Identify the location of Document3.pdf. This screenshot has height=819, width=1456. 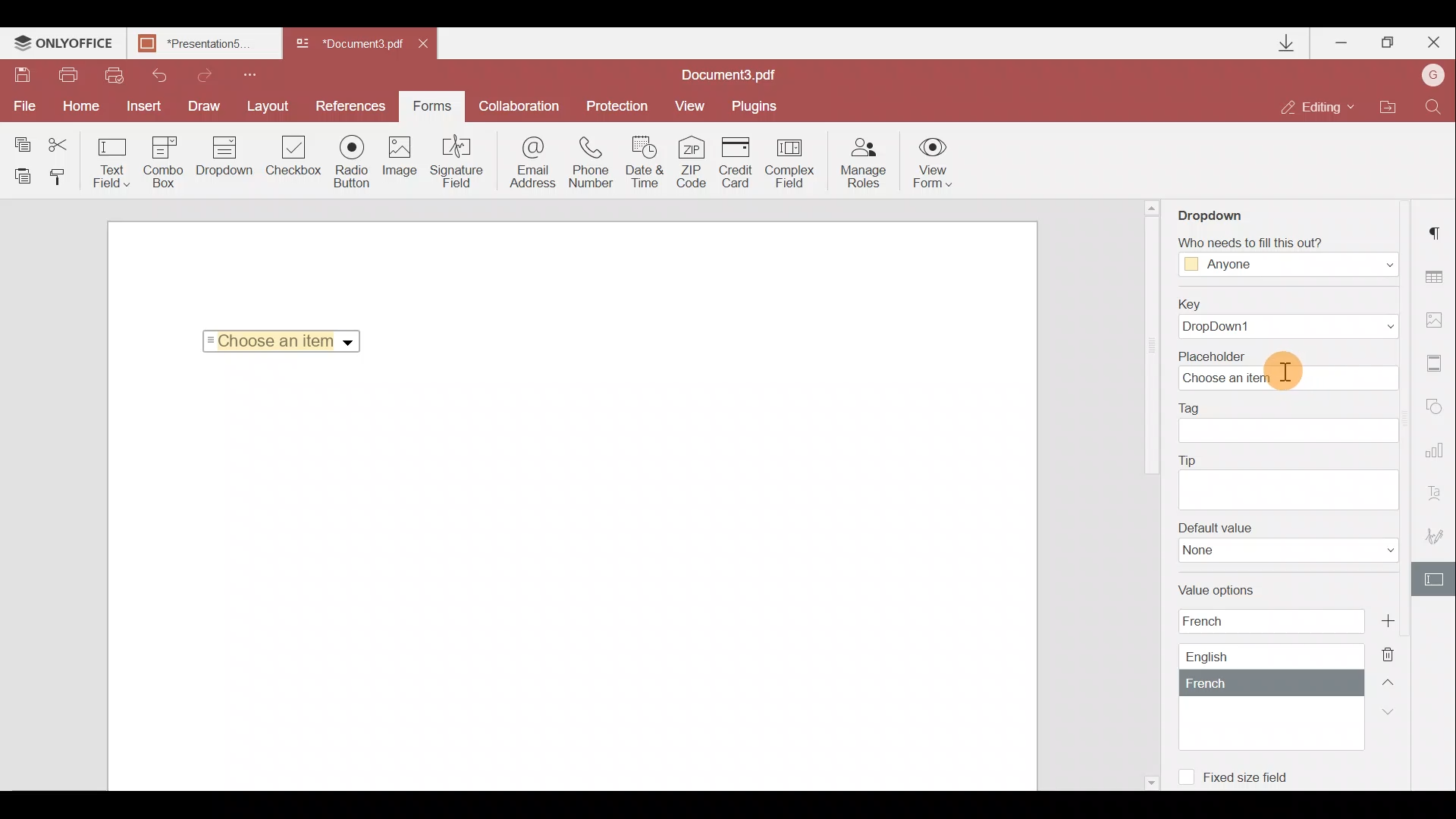
(747, 74).